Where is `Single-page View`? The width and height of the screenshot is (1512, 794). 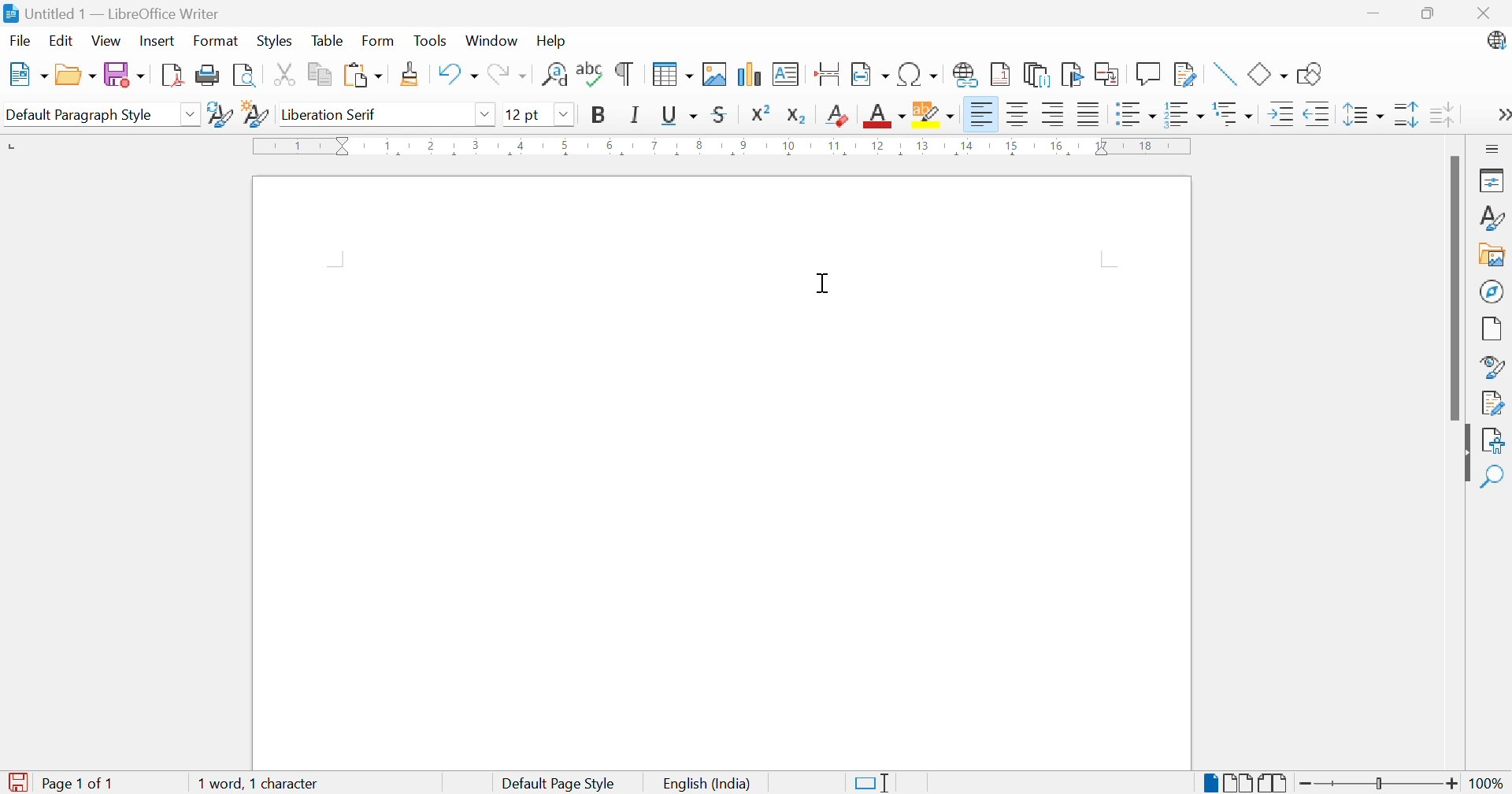 Single-page View is located at coordinates (1210, 783).